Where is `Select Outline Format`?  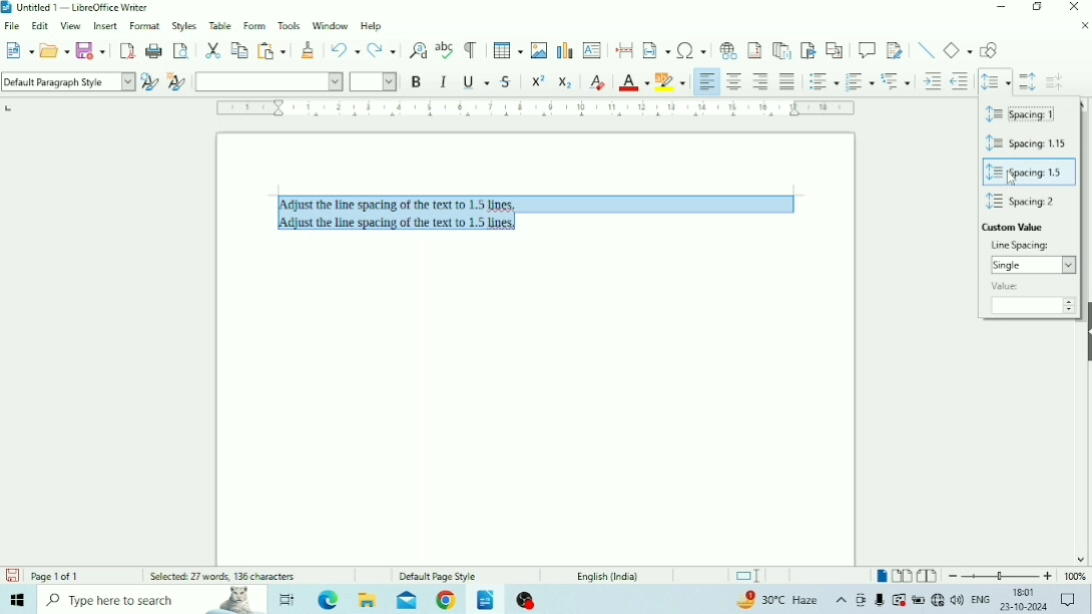 Select Outline Format is located at coordinates (896, 81).